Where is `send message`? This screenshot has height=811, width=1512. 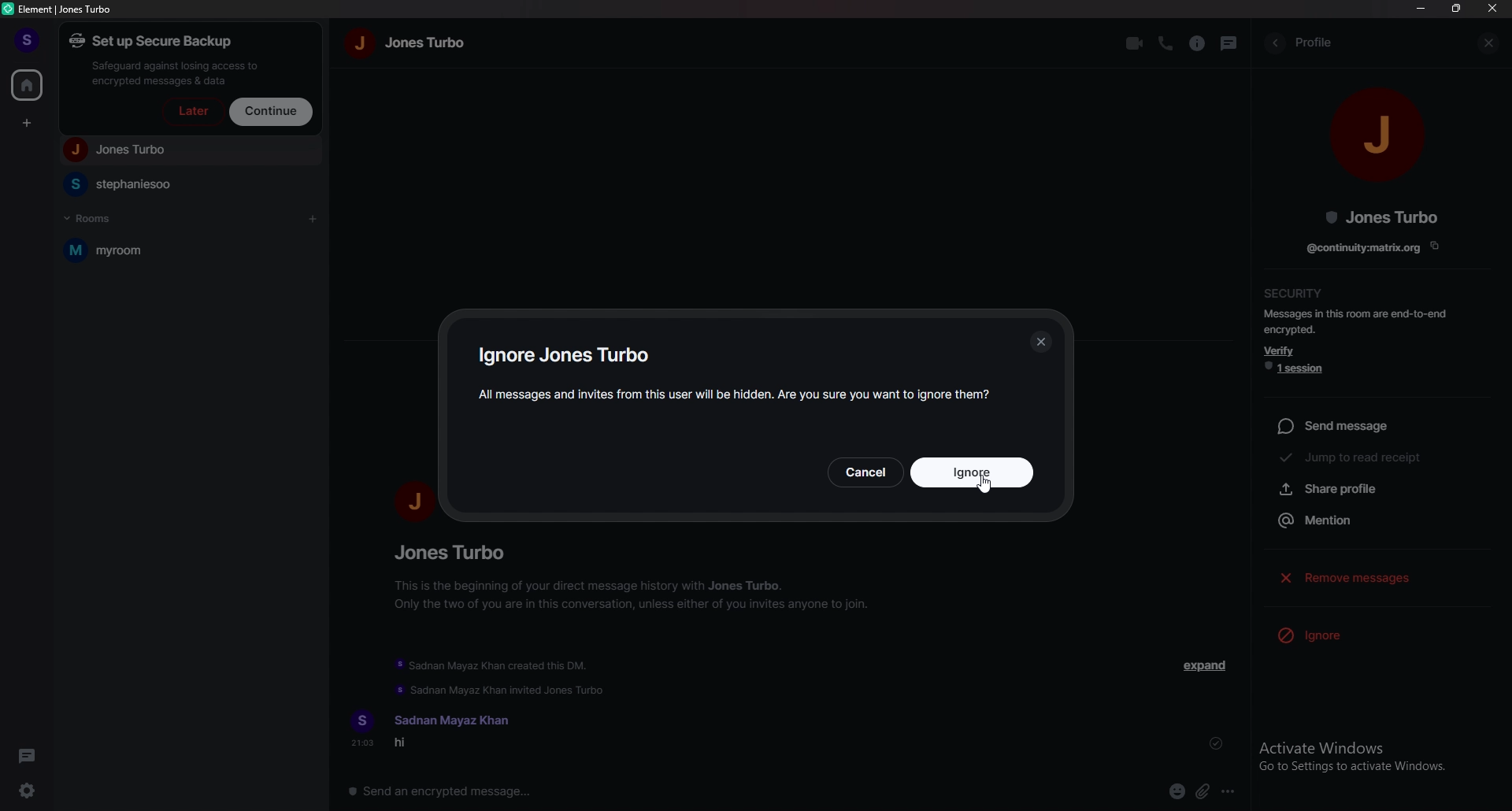
send message is located at coordinates (1372, 424).